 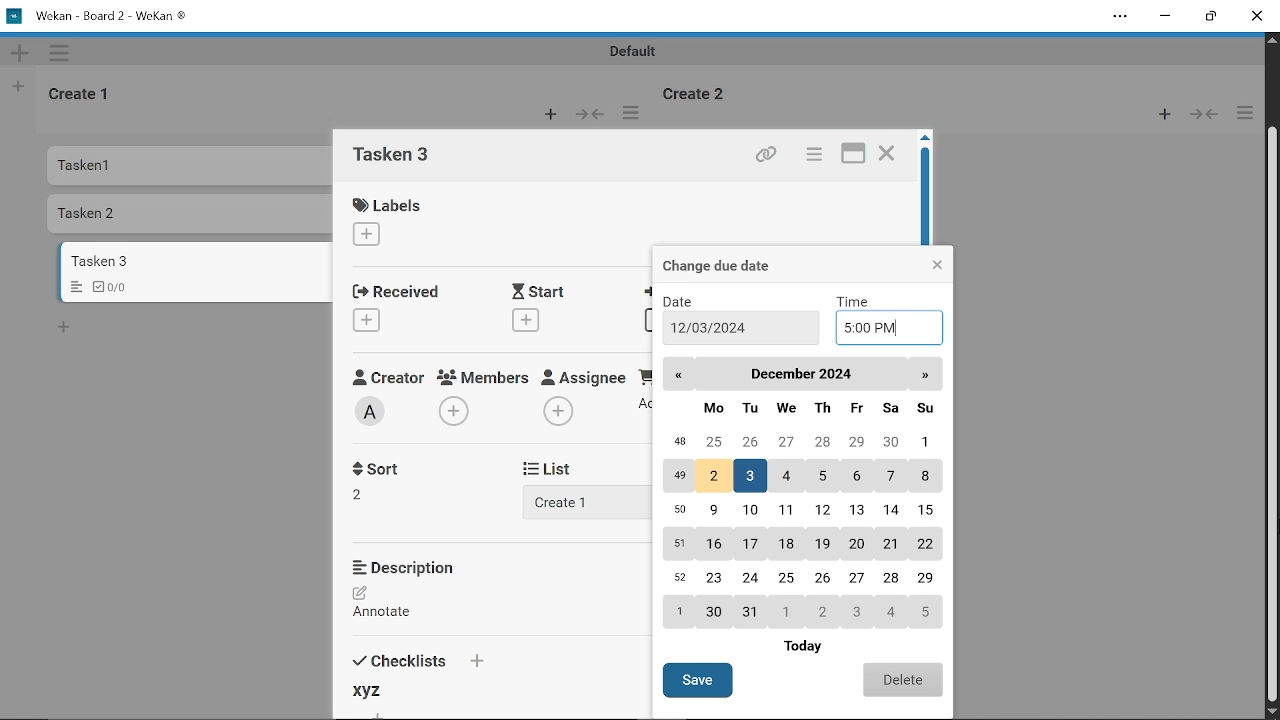 What do you see at coordinates (133, 167) in the screenshot?
I see `Tasken 1` at bounding box center [133, 167].